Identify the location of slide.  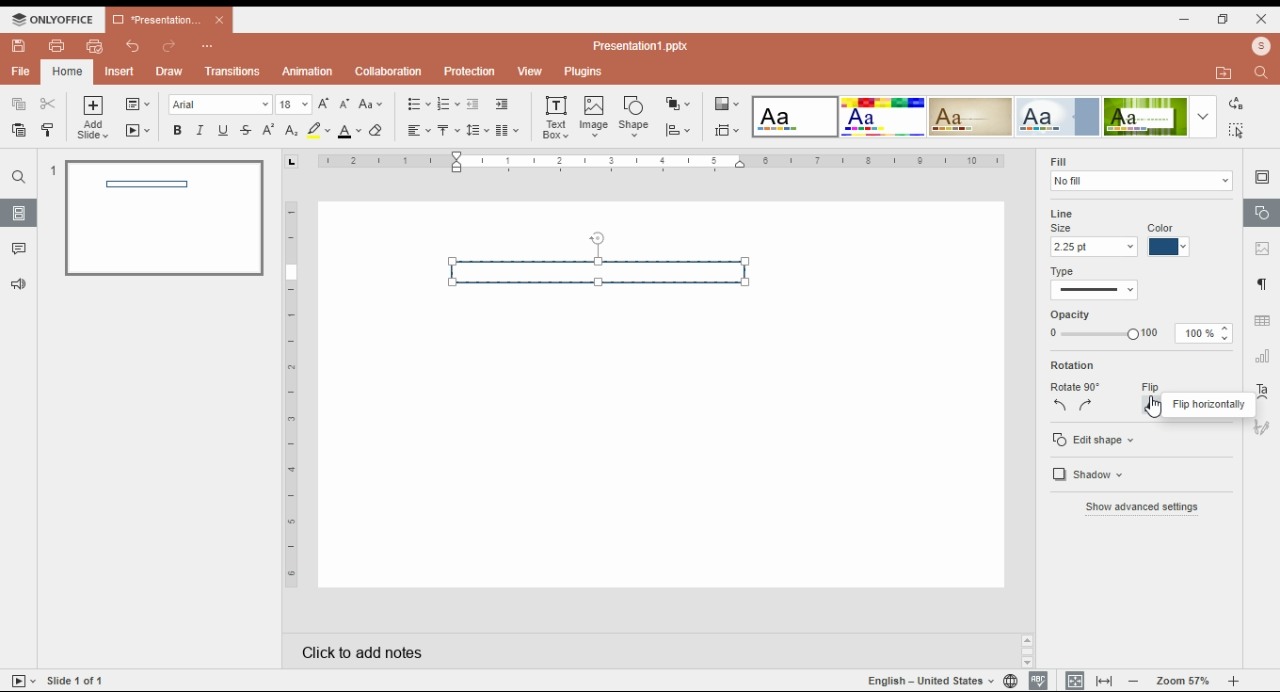
(19, 213).